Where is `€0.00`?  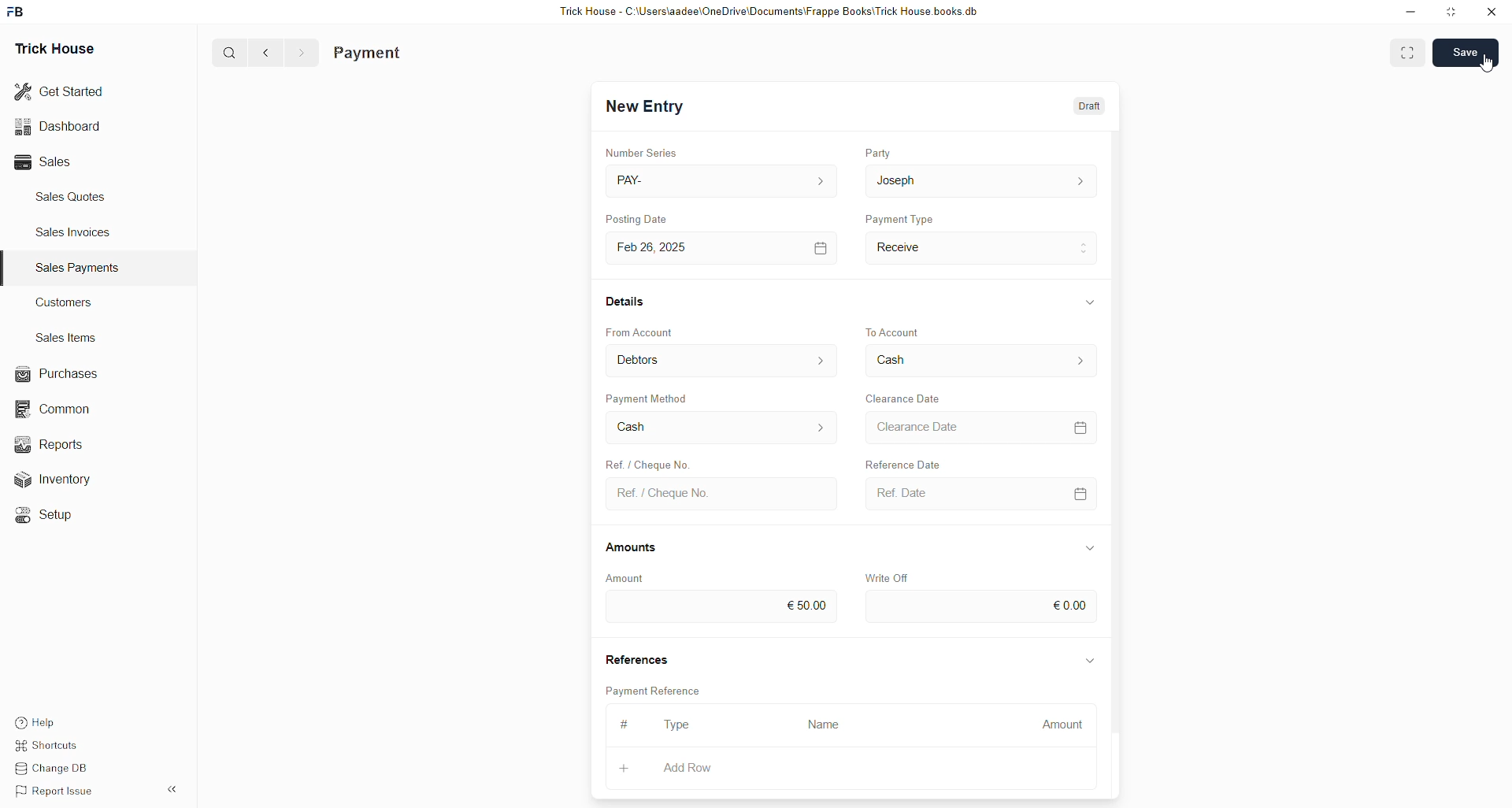 €0.00 is located at coordinates (982, 606).